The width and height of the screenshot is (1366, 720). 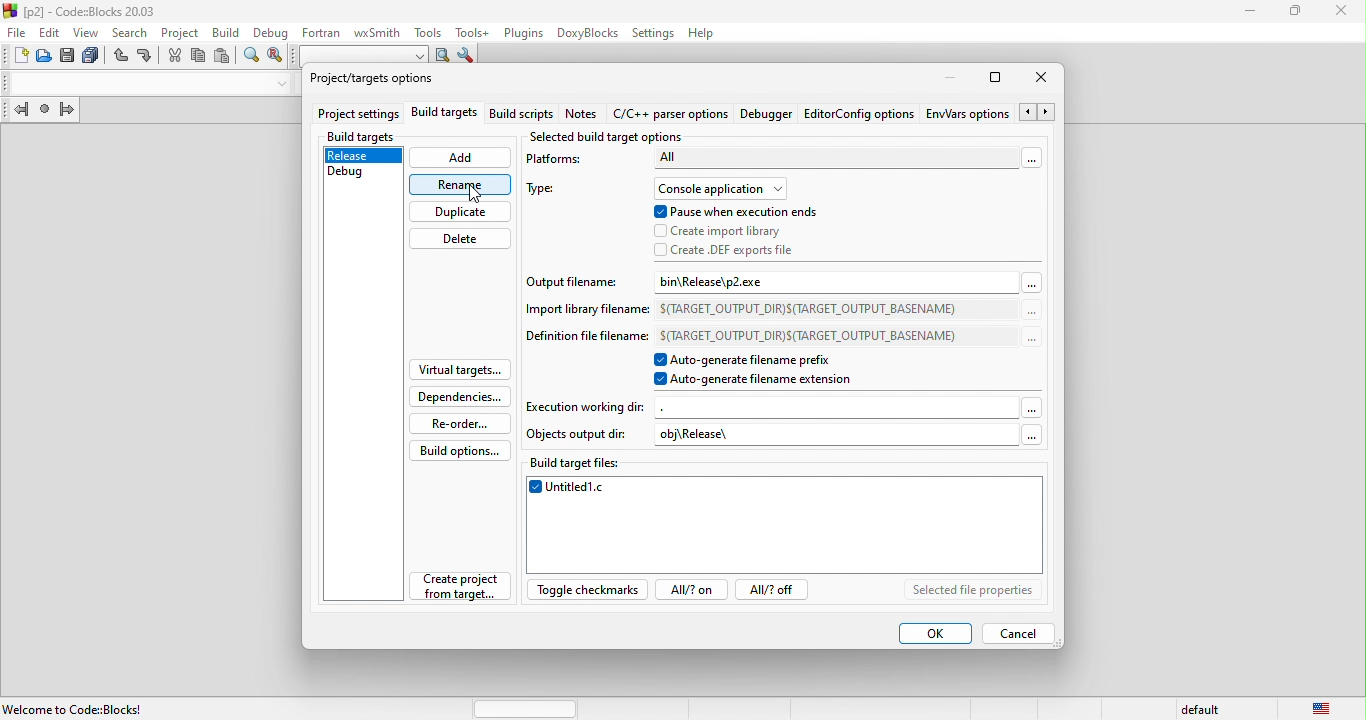 I want to click on bin\Release\p2.exe, so click(x=735, y=282).